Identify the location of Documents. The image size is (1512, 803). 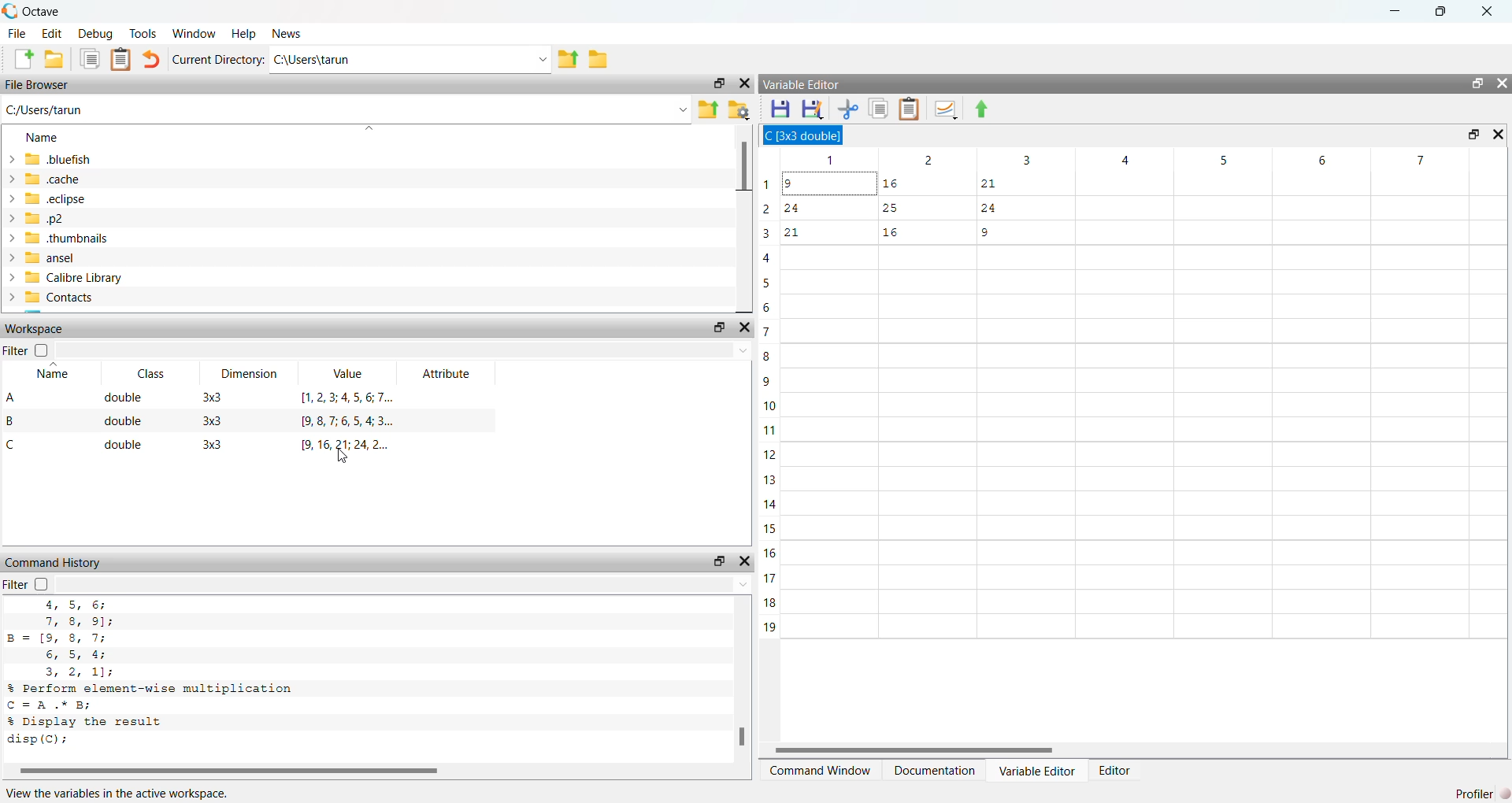
(878, 109).